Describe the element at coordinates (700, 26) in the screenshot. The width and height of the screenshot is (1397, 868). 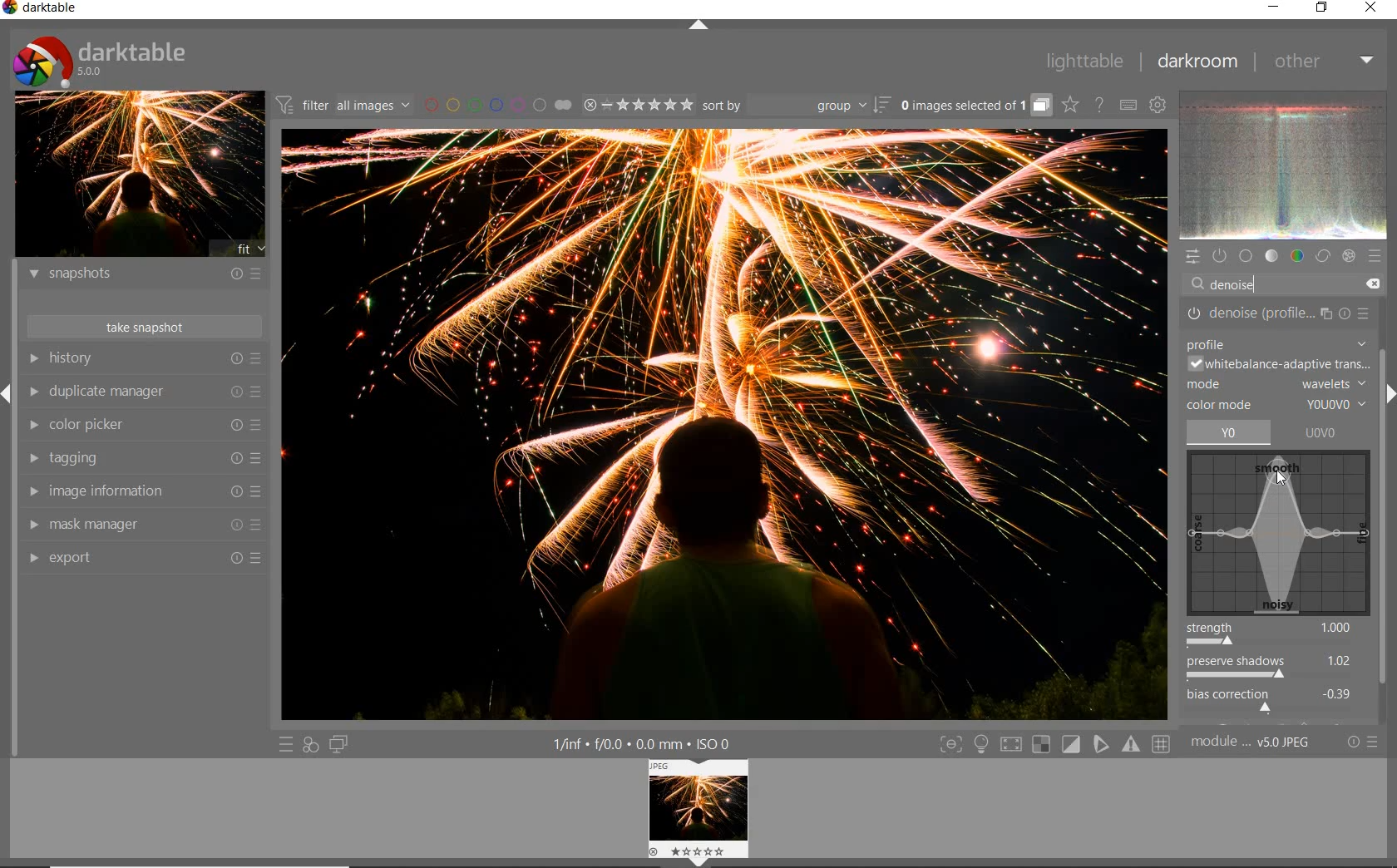
I see `expand/collapse` at that location.